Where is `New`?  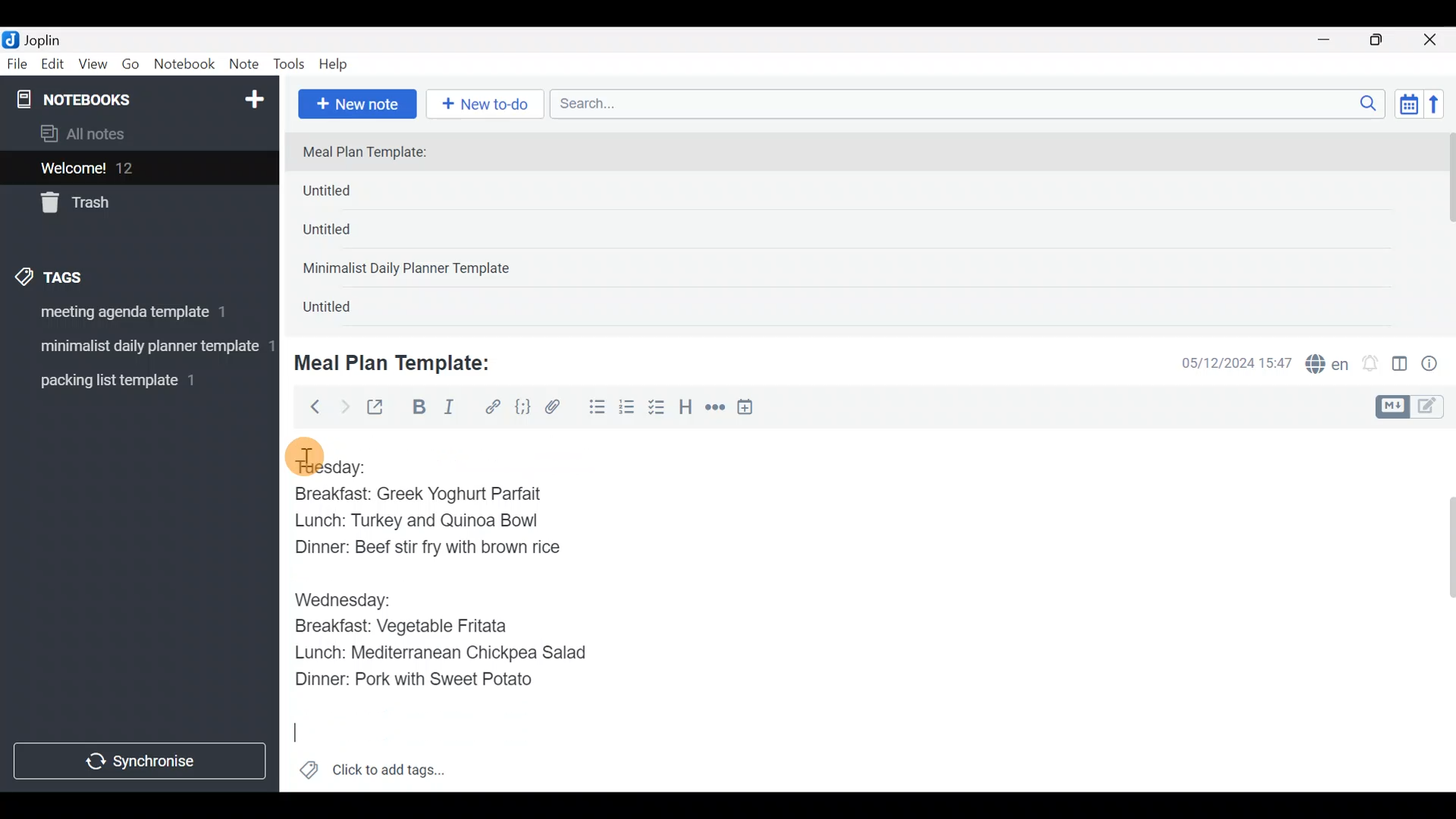 New is located at coordinates (253, 96).